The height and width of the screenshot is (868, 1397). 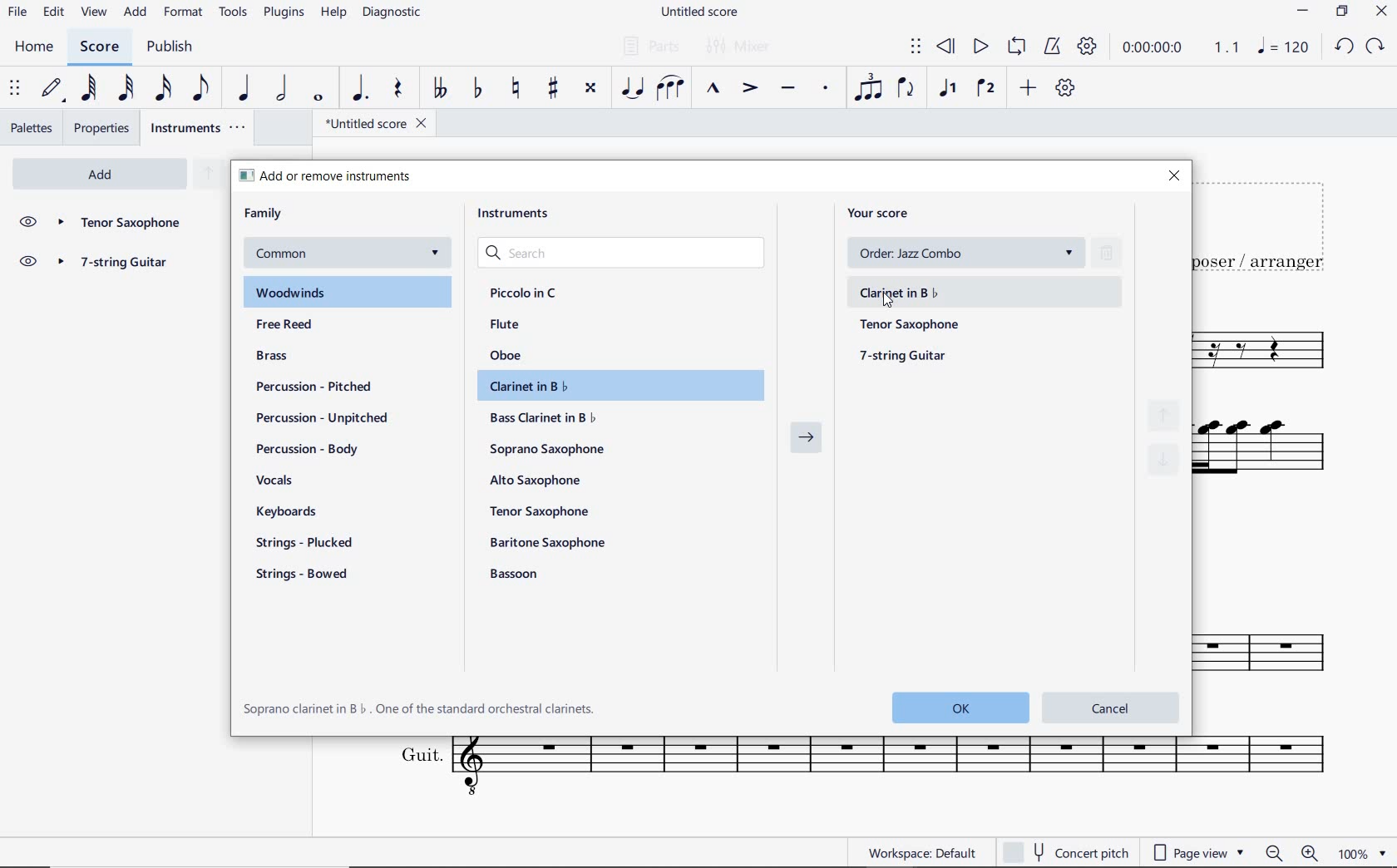 I want to click on HELP, so click(x=331, y=14).